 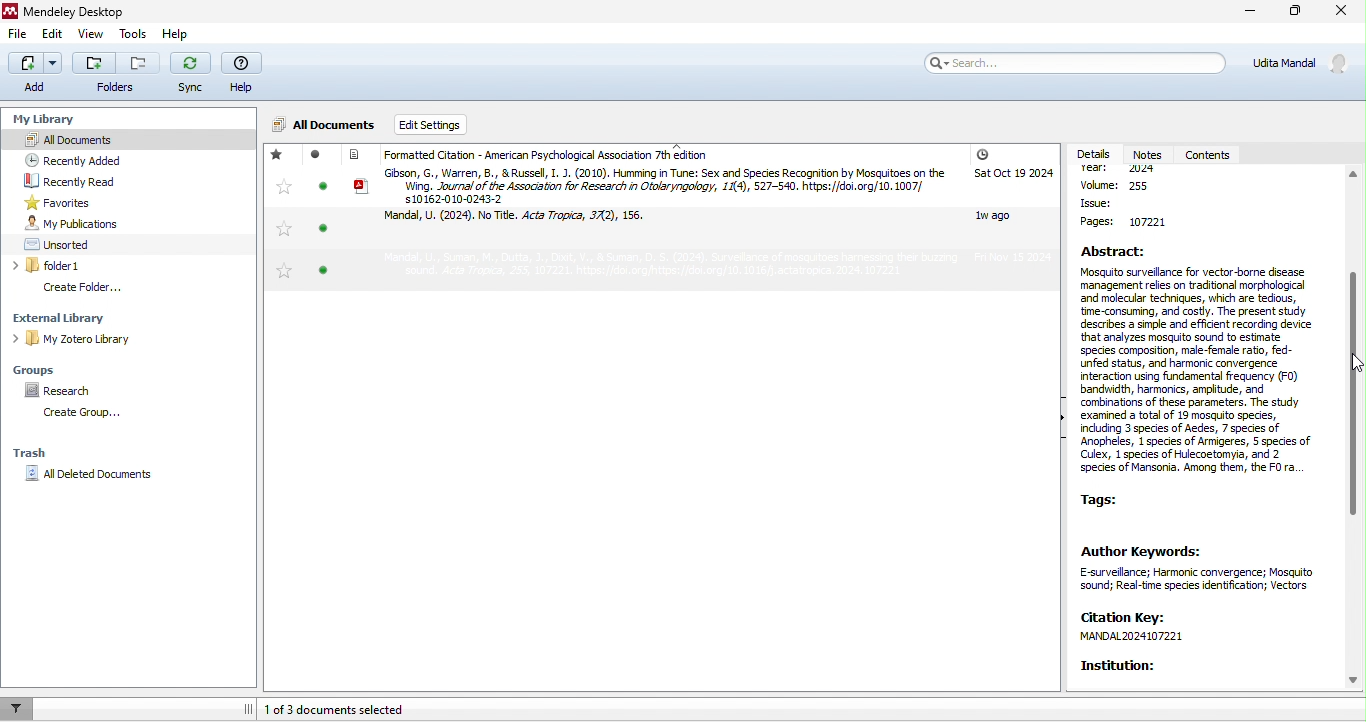 What do you see at coordinates (1149, 155) in the screenshot?
I see `notes` at bounding box center [1149, 155].